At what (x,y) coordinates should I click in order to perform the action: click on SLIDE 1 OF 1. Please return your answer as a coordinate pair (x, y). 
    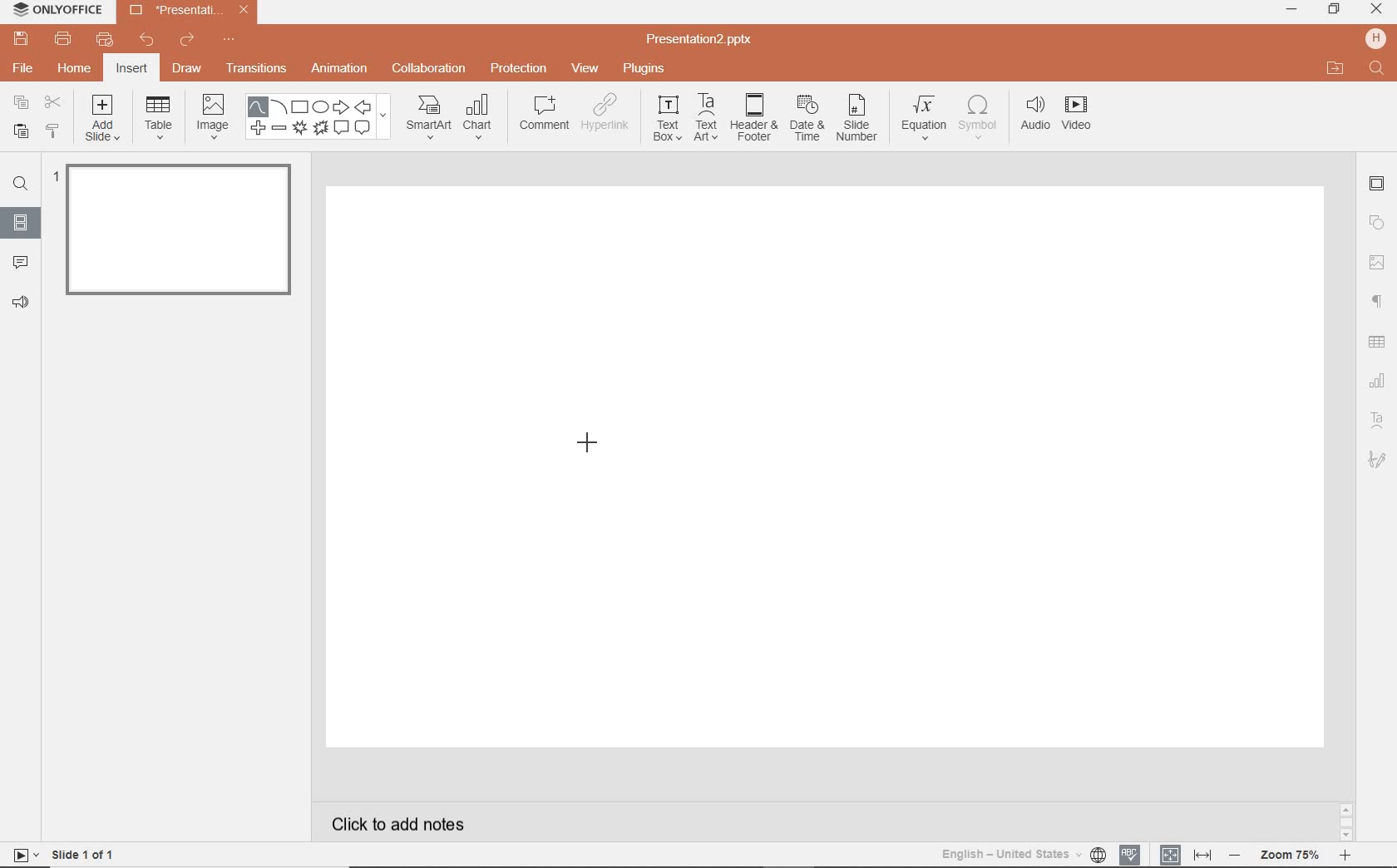
    Looking at the image, I should click on (67, 854).